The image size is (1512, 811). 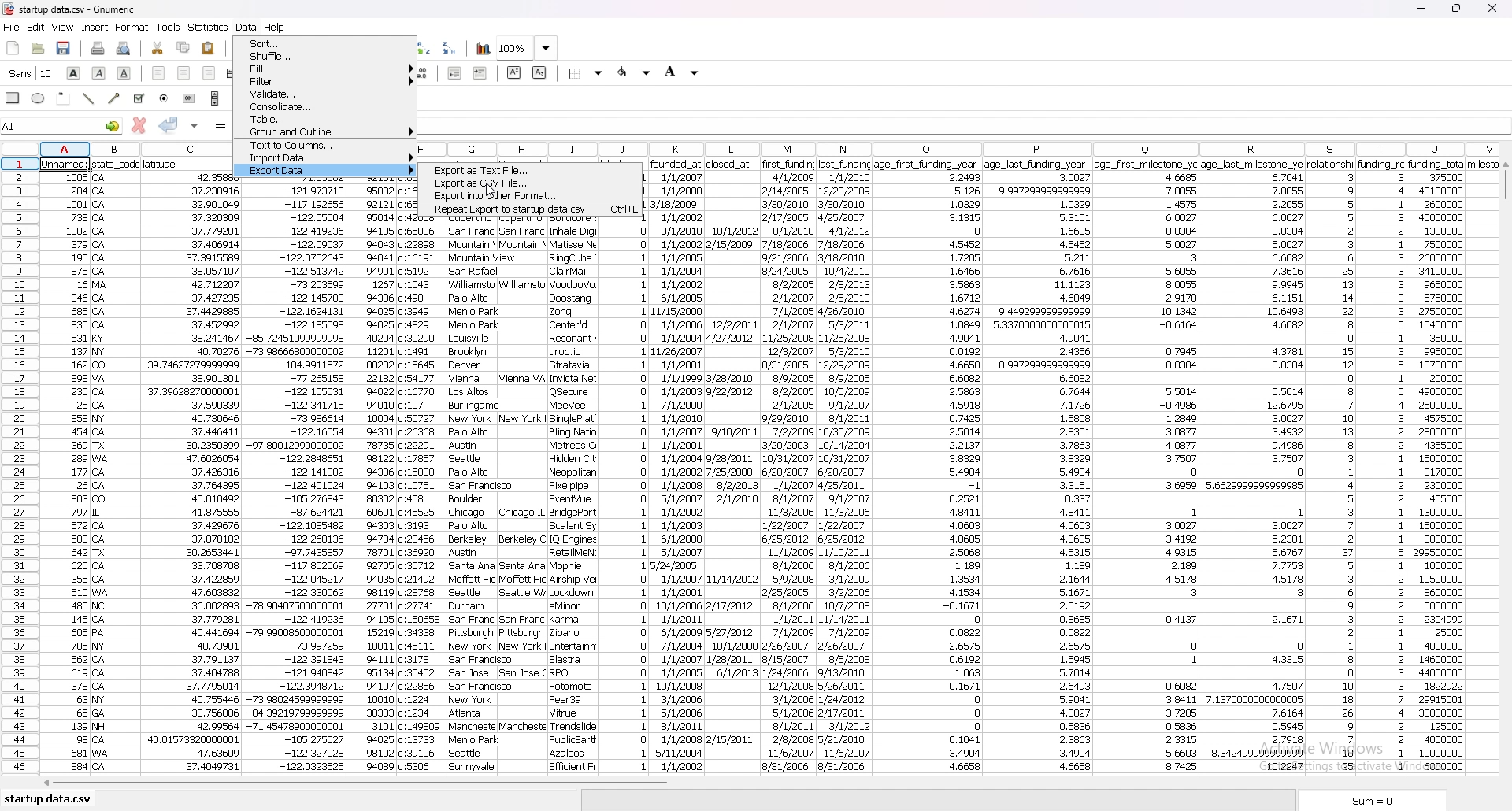 I want to click on bold, so click(x=74, y=73).